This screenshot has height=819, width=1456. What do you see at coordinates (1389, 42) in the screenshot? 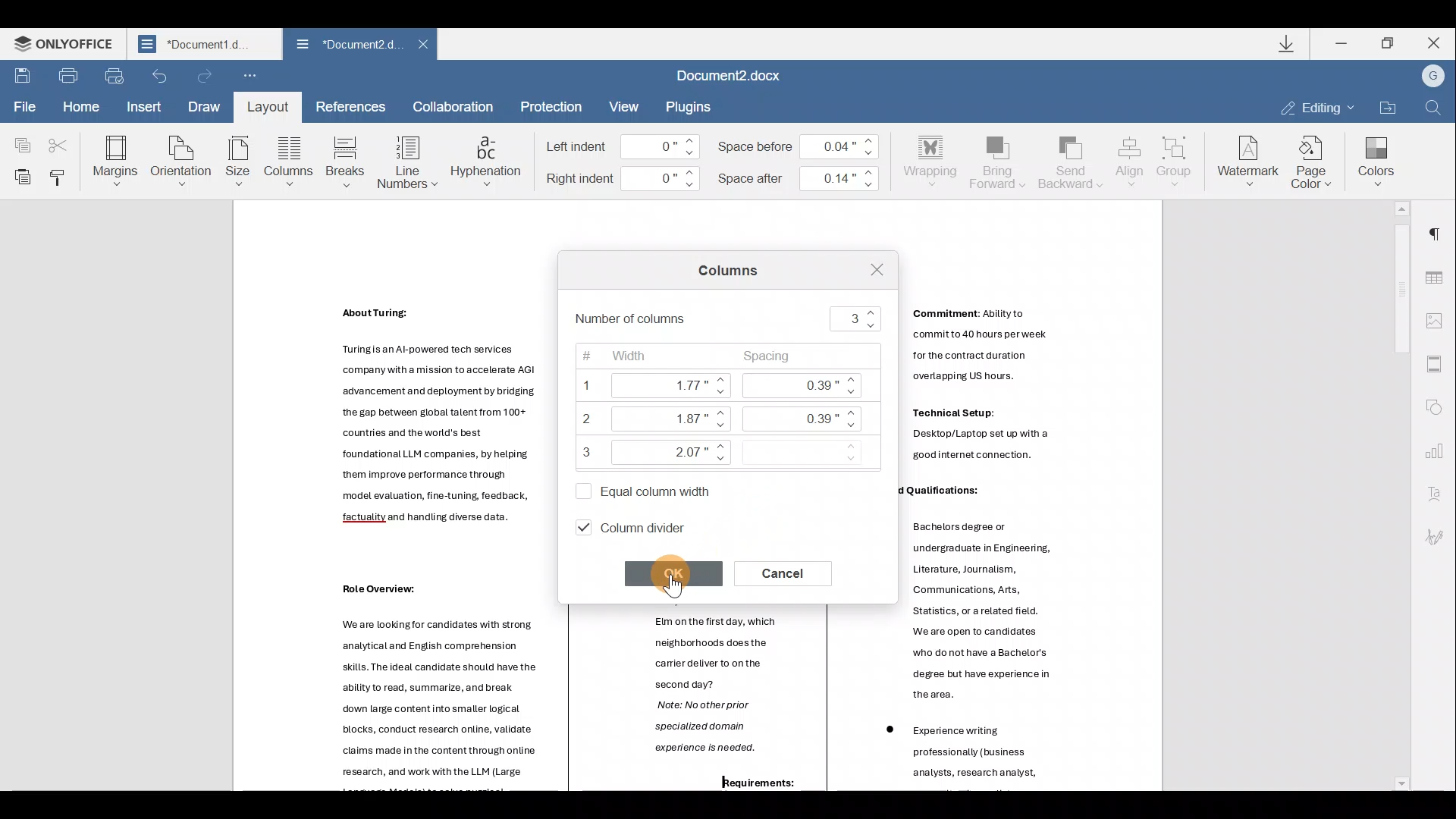
I see `Maximize` at bounding box center [1389, 42].